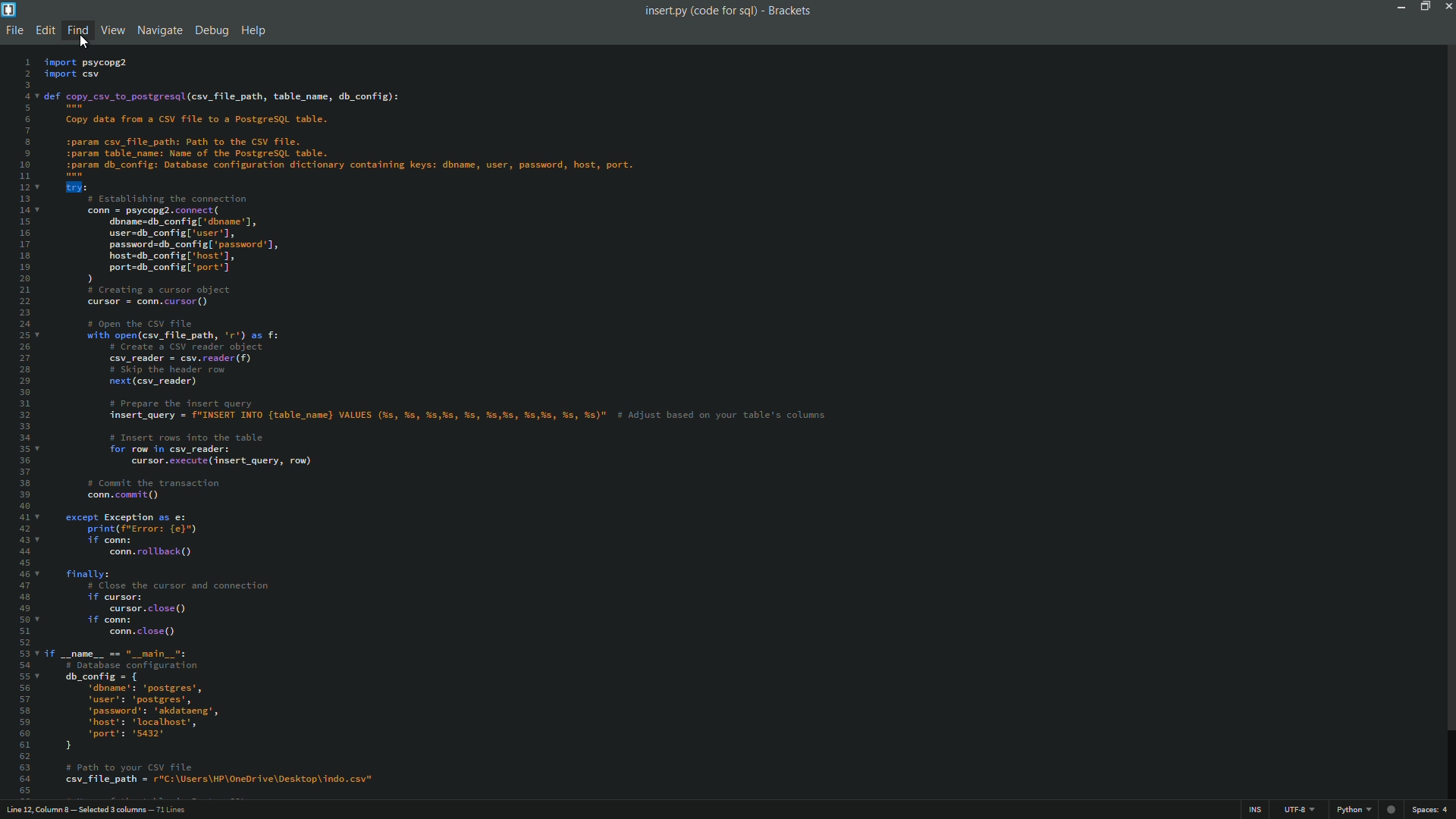 The height and width of the screenshot is (819, 1456). What do you see at coordinates (1422, 6) in the screenshot?
I see `maximize` at bounding box center [1422, 6].